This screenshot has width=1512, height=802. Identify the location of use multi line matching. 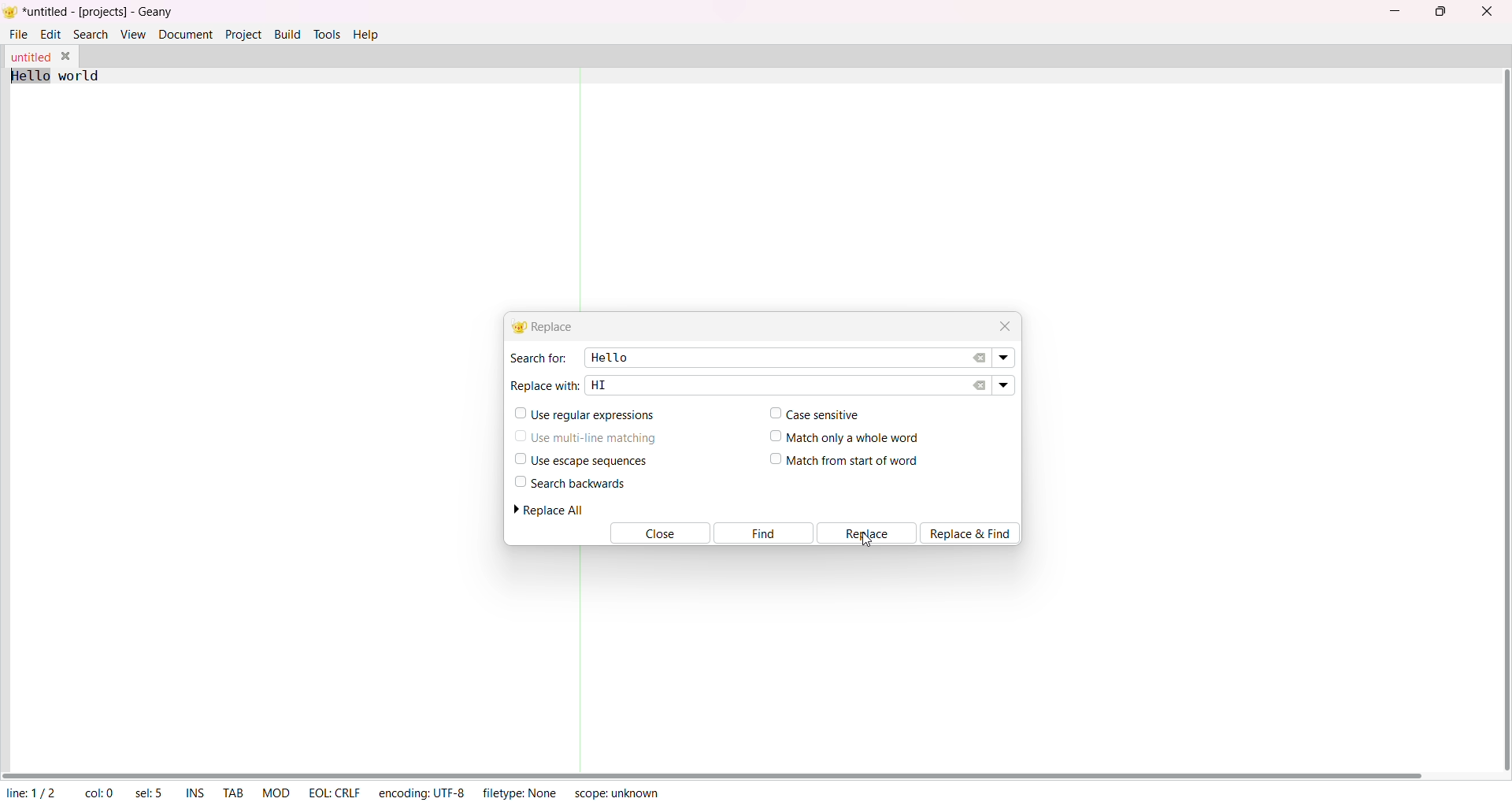
(587, 435).